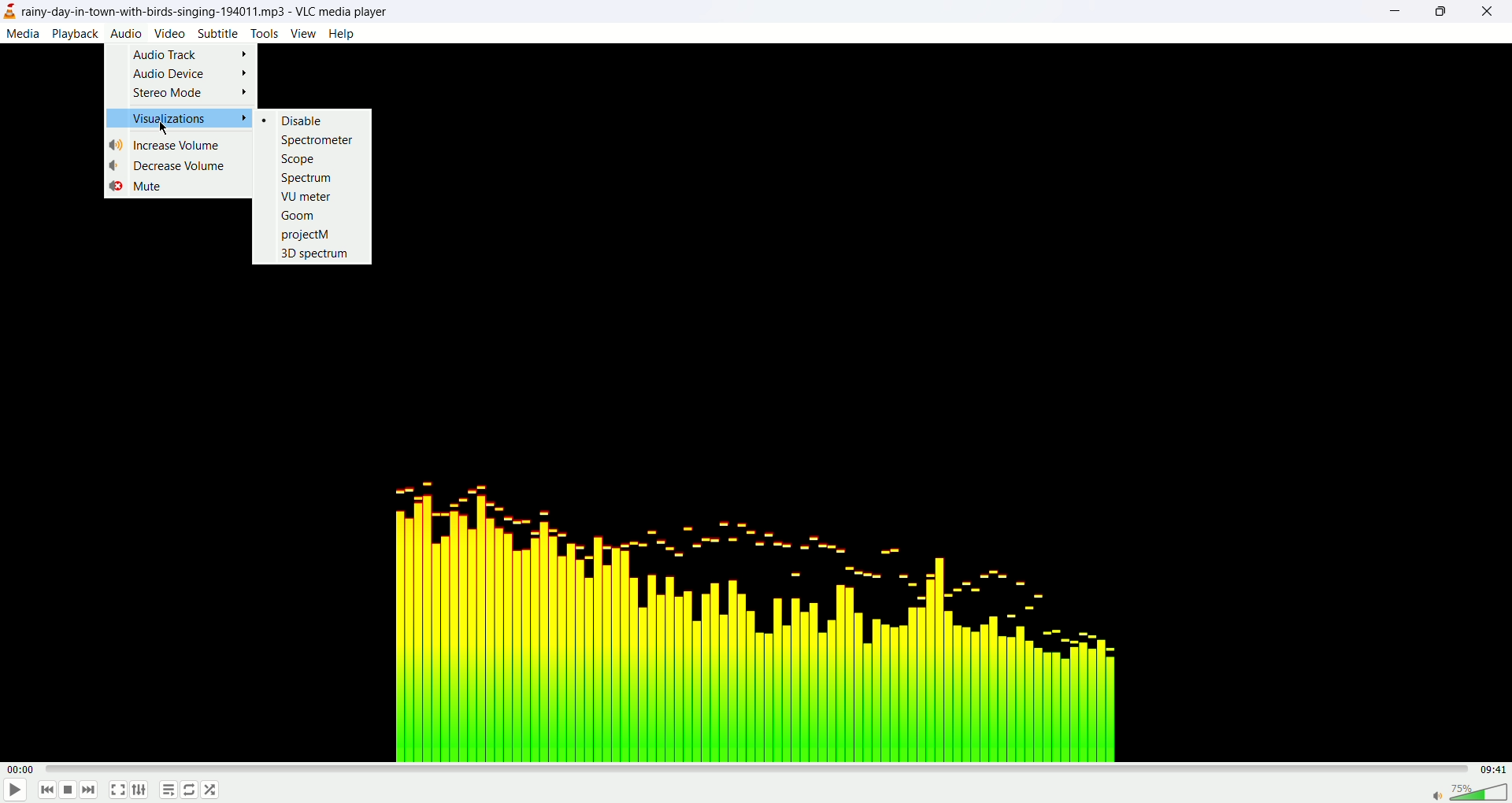 This screenshot has height=803, width=1512. I want to click on video, so click(170, 32).